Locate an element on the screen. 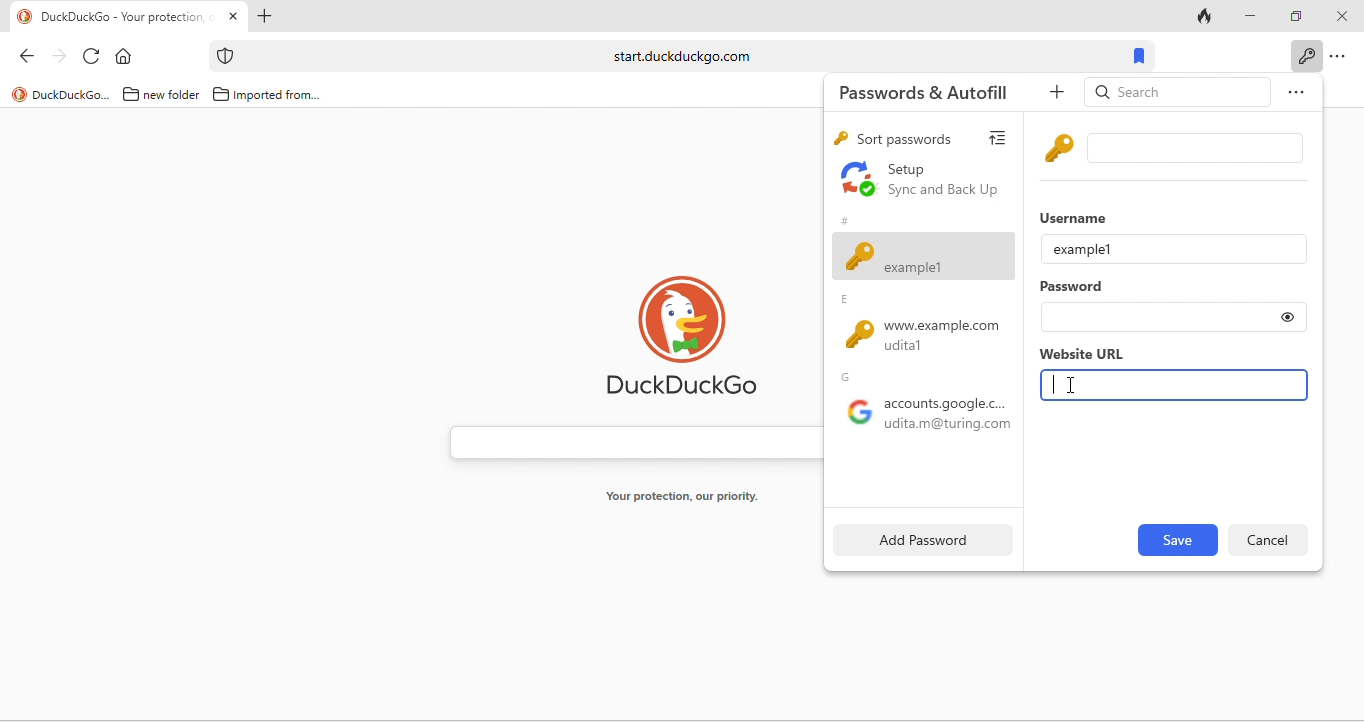 The image size is (1364, 722). toggle show or hide password is located at coordinates (1288, 317).